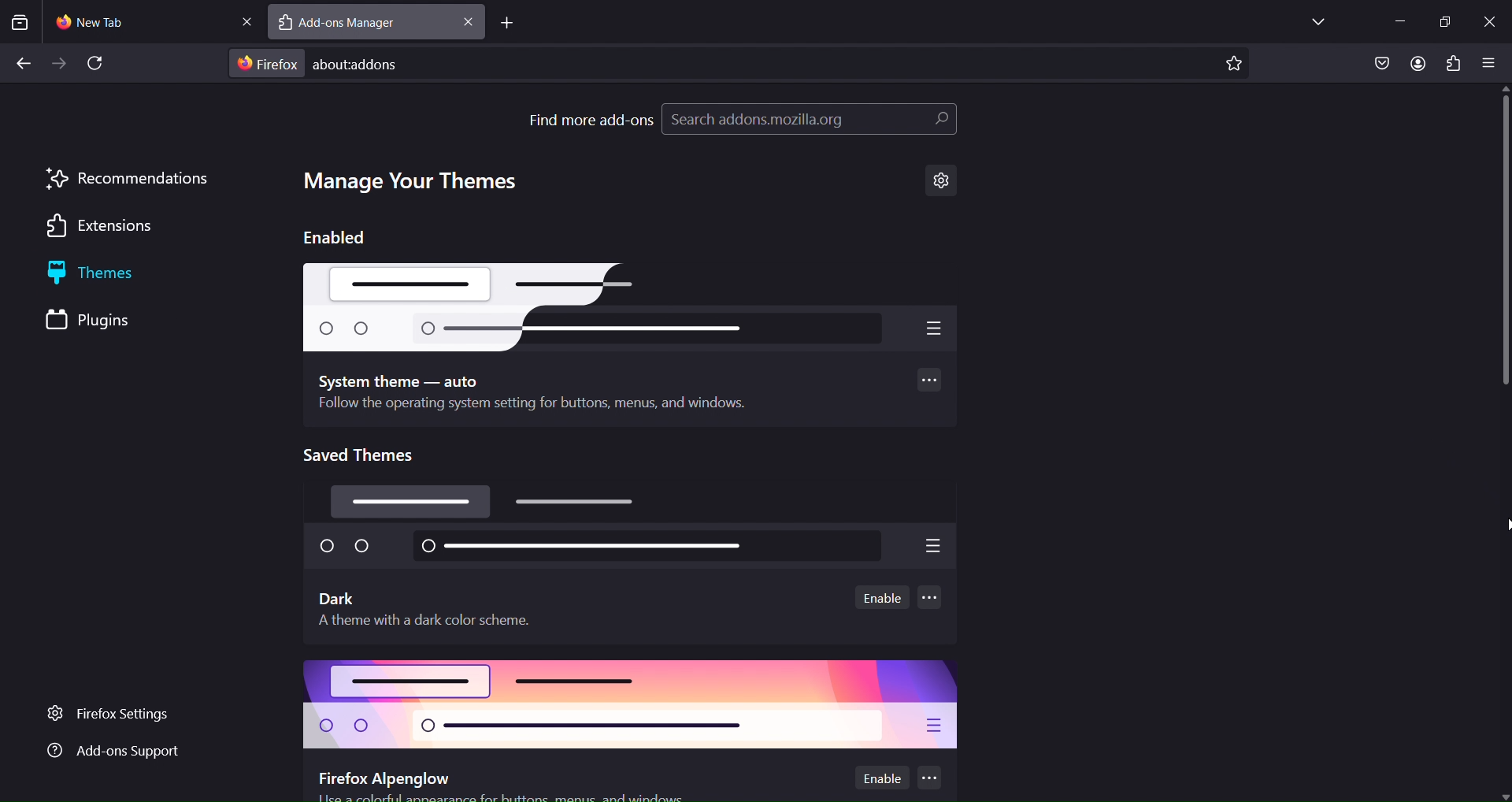  Describe the element at coordinates (884, 597) in the screenshot. I see `enable` at that location.